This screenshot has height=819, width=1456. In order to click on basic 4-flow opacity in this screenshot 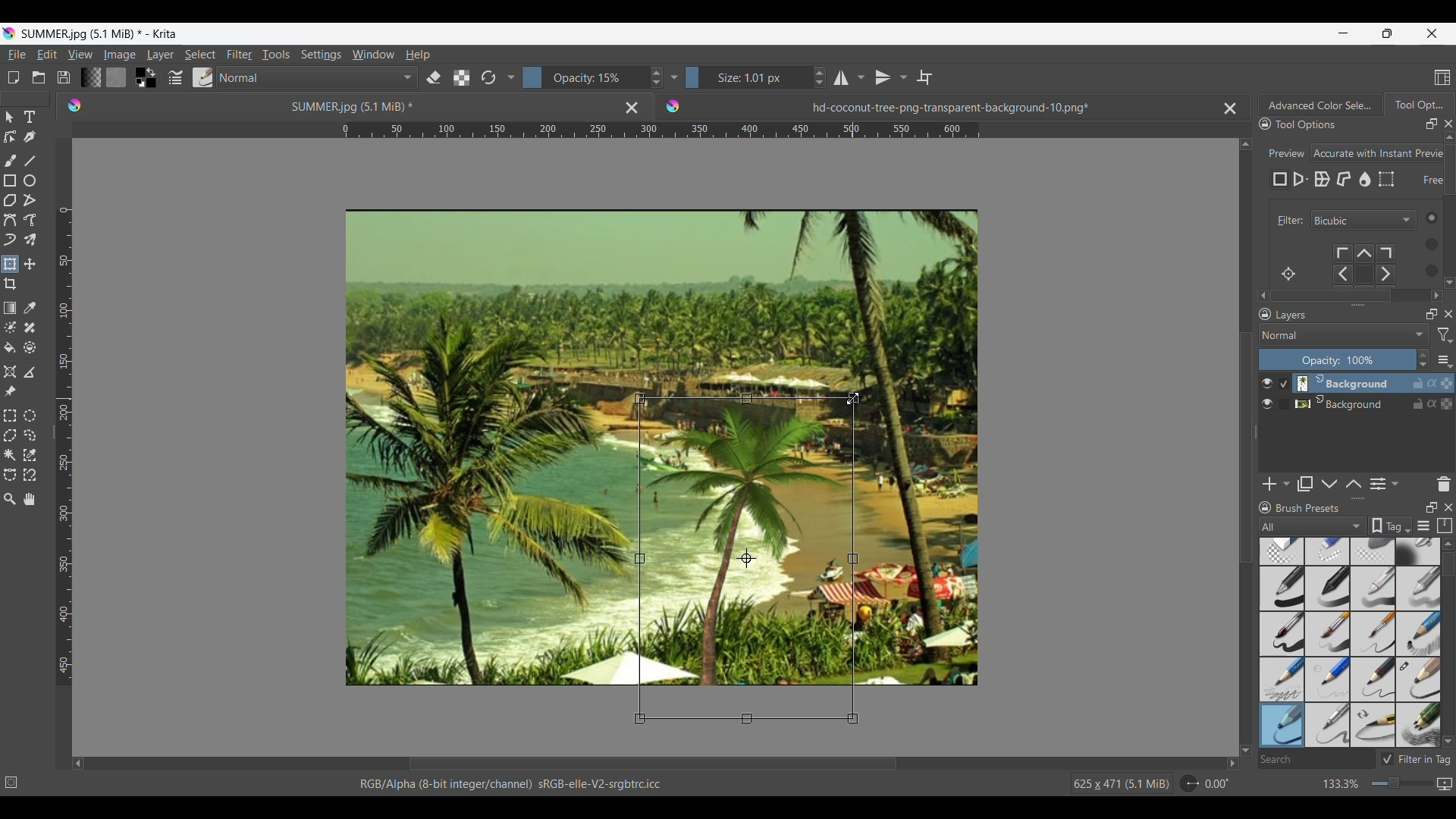, I will do `click(1417, 588)`.